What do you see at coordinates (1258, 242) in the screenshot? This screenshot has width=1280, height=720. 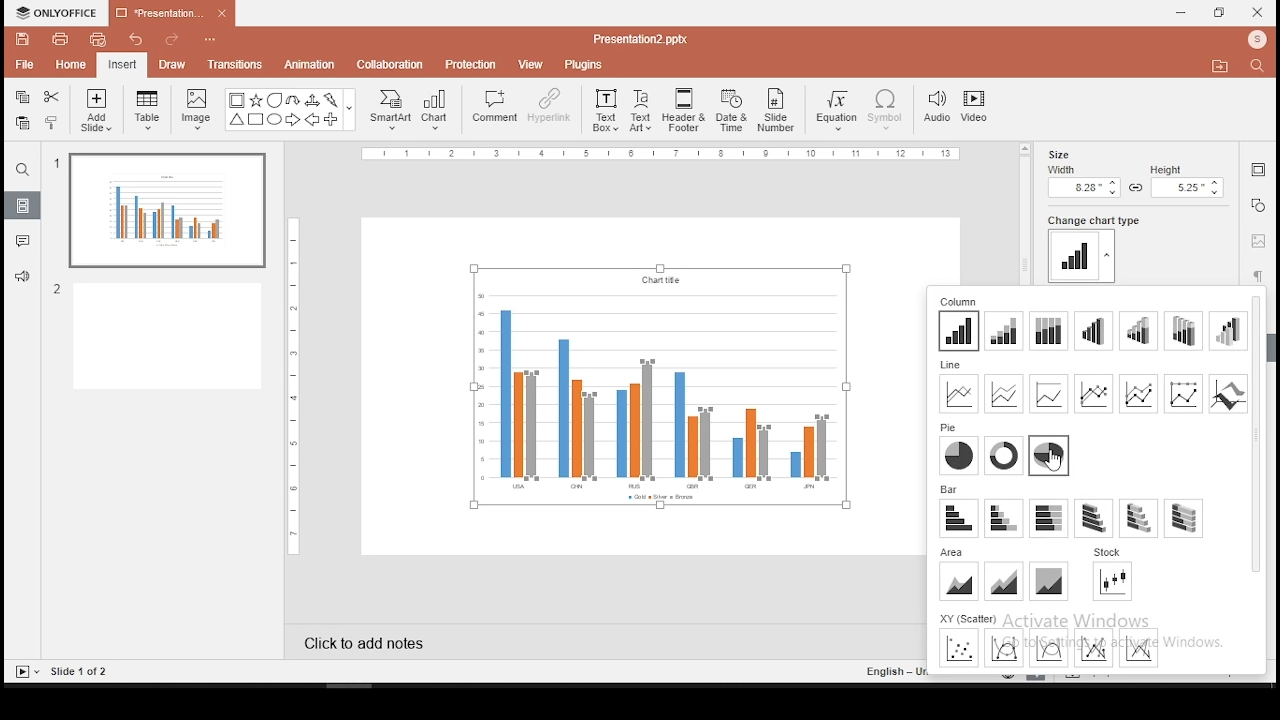 I see `image settings` at bounding box center [1258, 242].